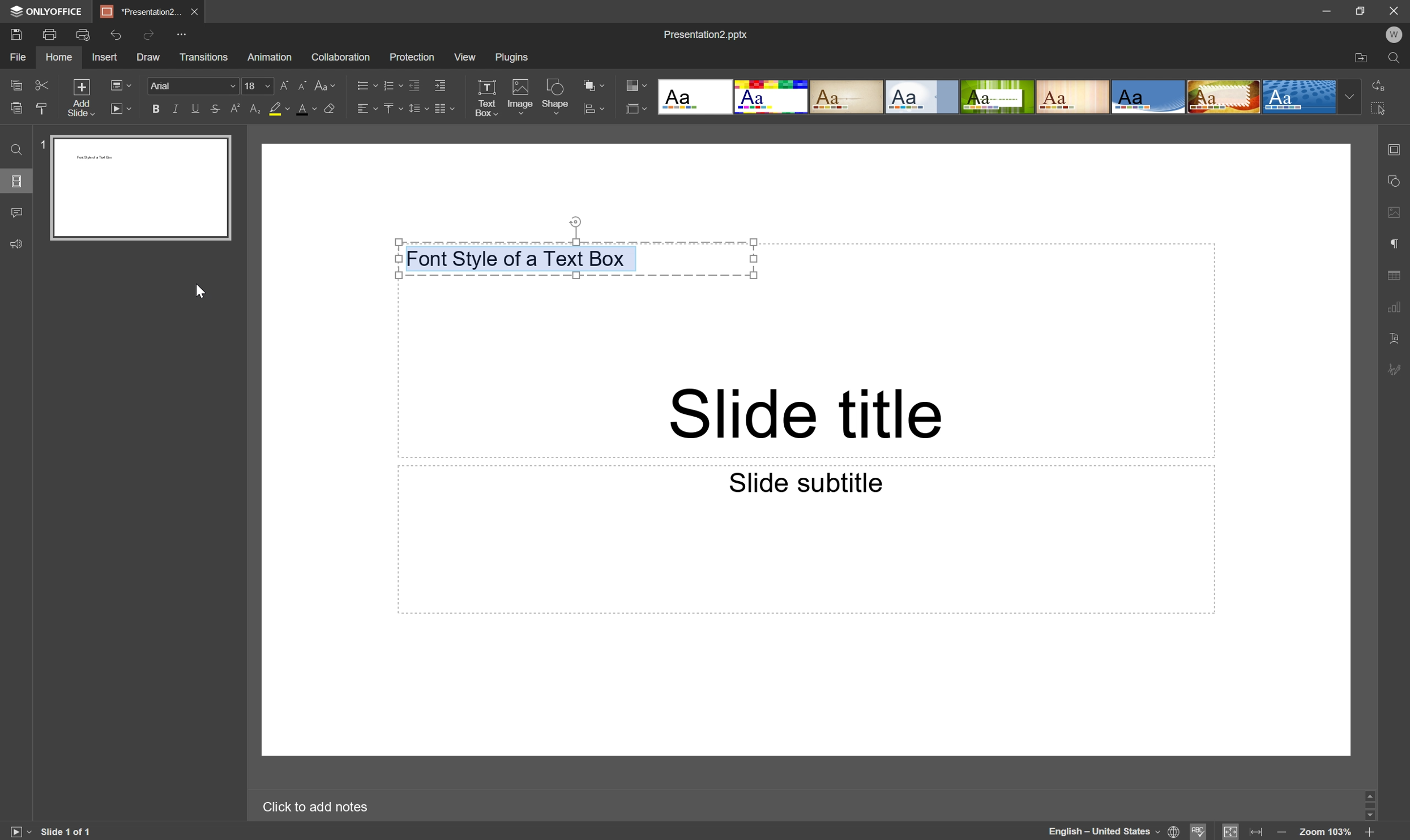 The width and height of the screenshot is (1410, 840). I want to click on View, so click(465, 55).